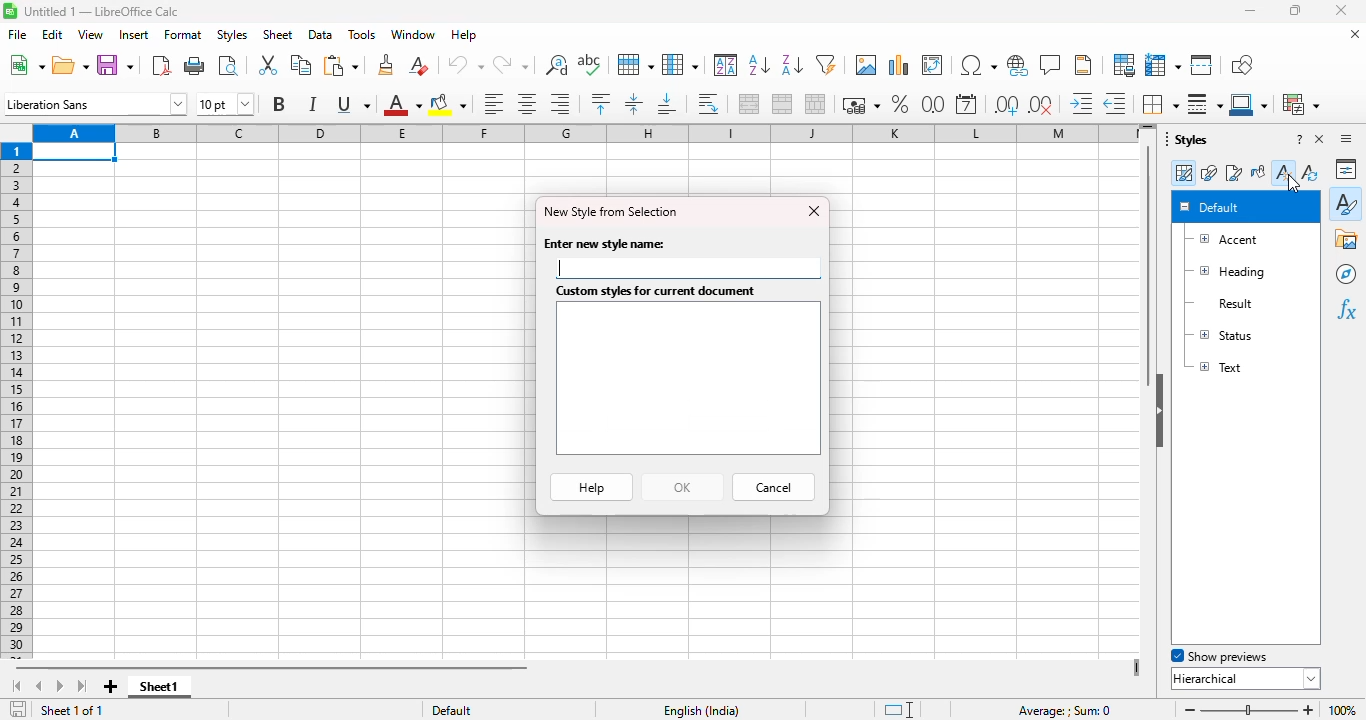 This screenshot has width=1366, height=720. I want to click on sort, so click(727, 65).